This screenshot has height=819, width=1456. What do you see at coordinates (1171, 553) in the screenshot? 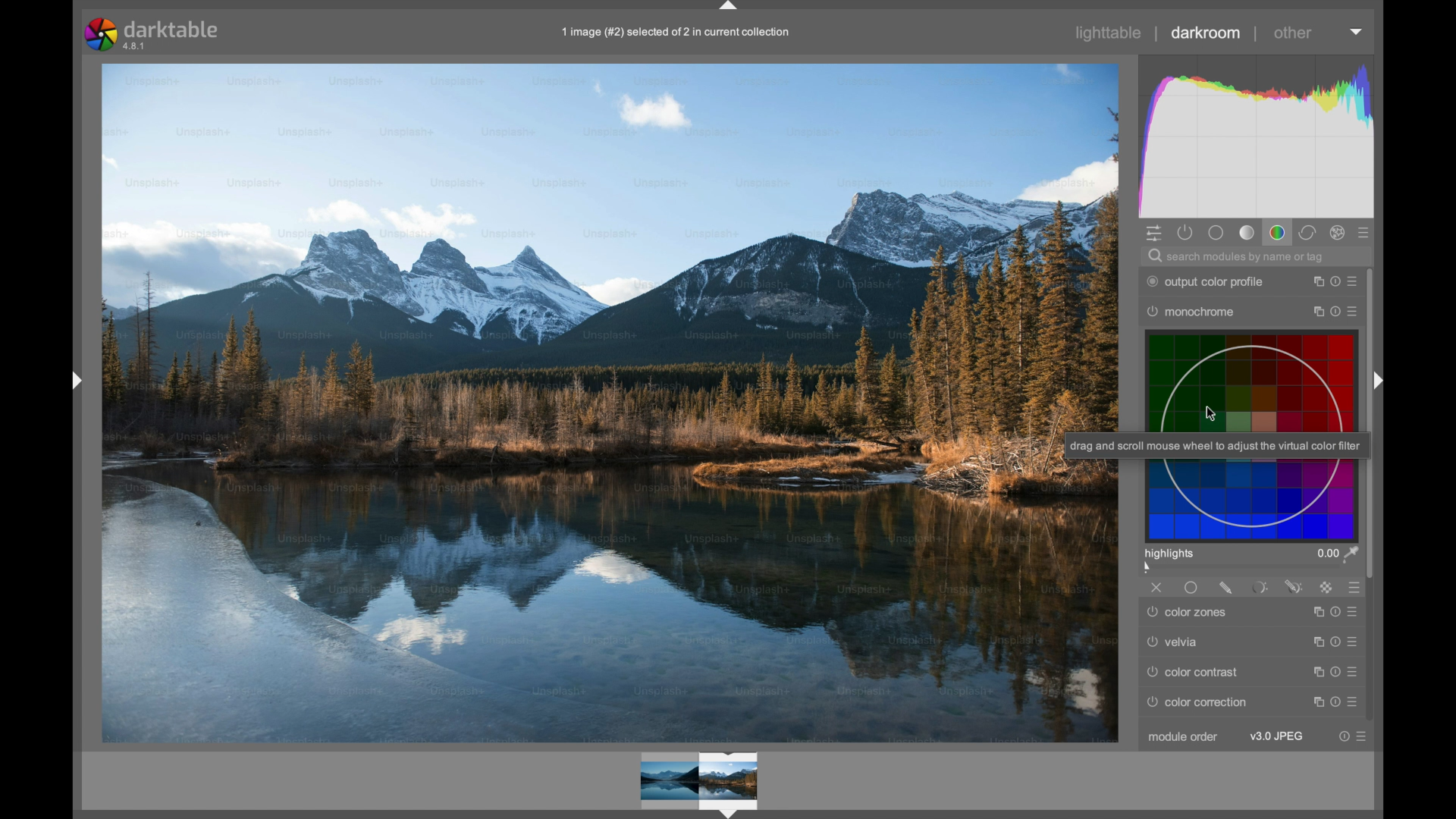
I see `highlights` at bounding box center [1171, 553].